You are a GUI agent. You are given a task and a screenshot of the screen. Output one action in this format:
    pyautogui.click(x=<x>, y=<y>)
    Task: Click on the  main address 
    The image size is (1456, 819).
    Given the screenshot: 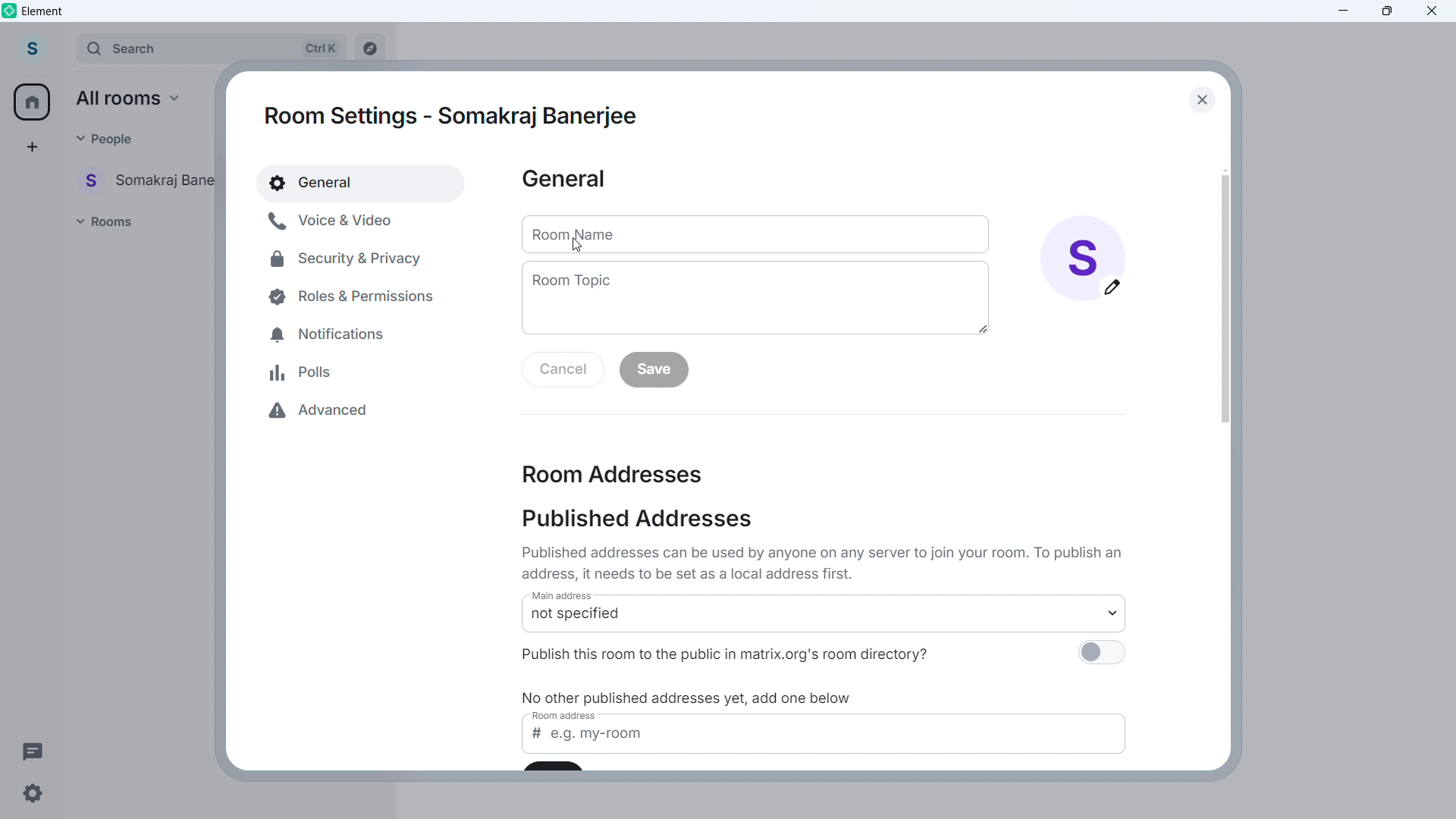 What is the action you would take?
    pyautogui.click(x=569, y=598)
    